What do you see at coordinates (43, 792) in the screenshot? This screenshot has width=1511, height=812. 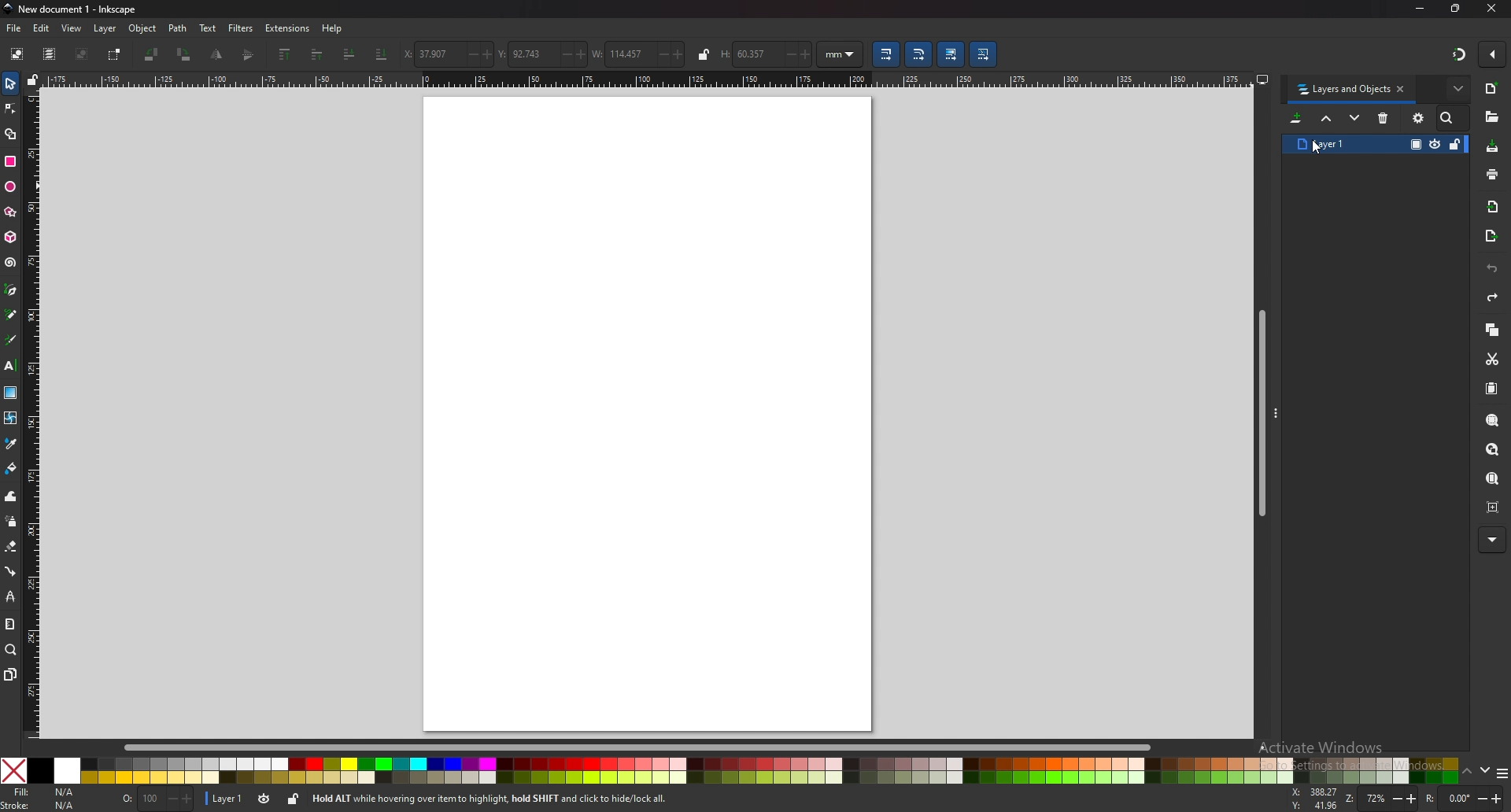 I see `fill` at bounding box center [43, 792].